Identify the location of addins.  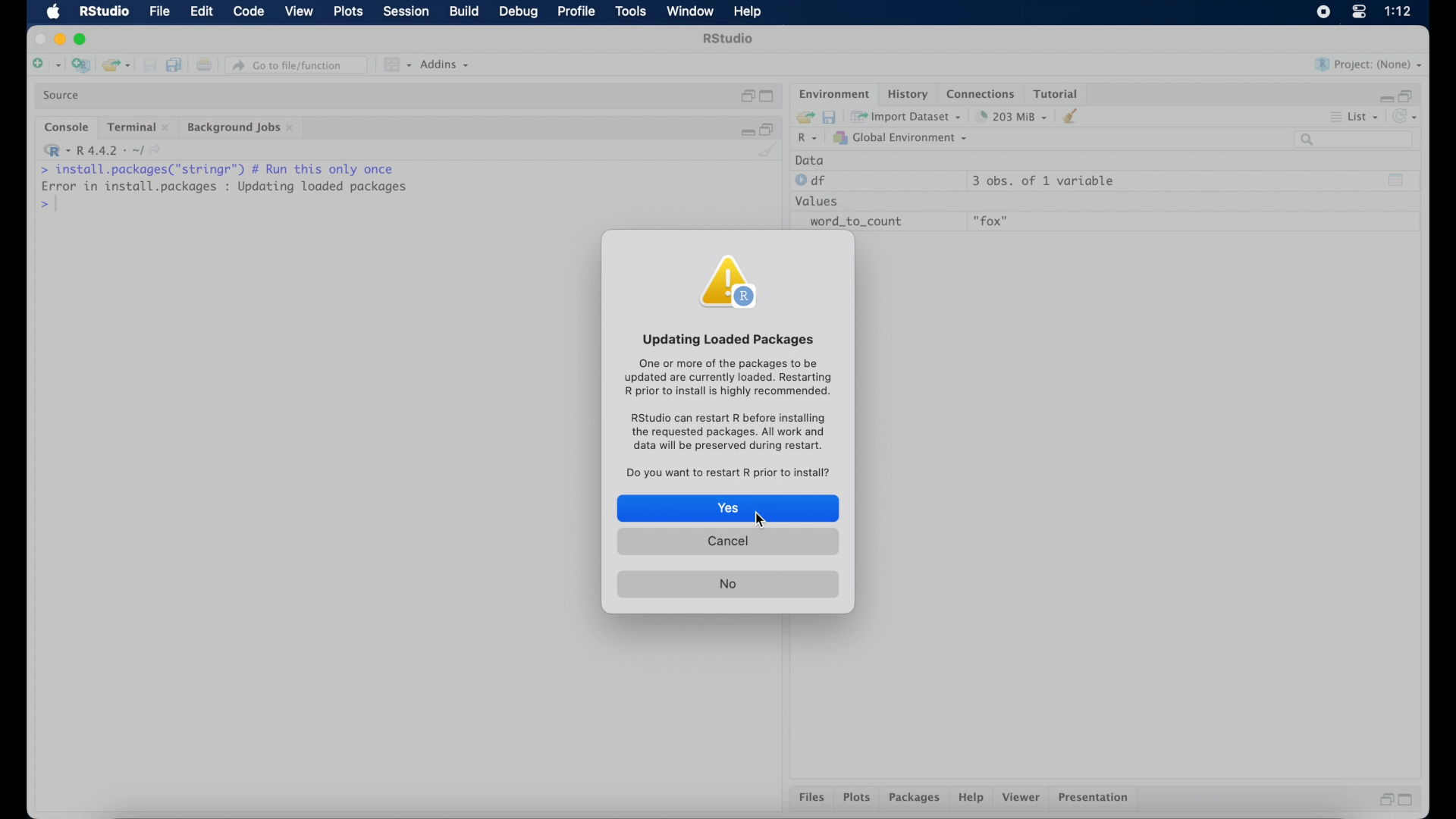
(445, 64).